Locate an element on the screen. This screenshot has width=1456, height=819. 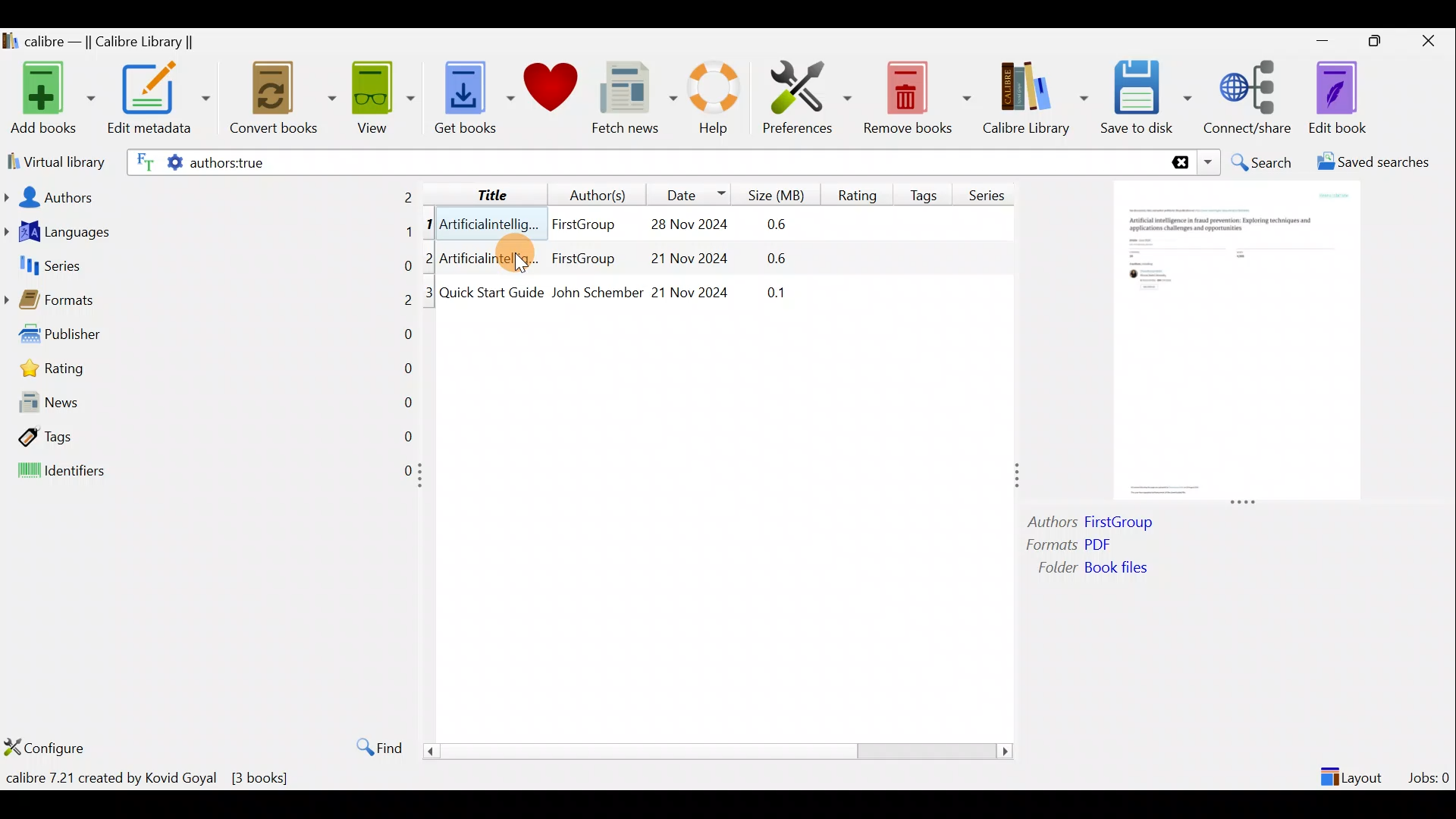
3 is located at coordinates (430, 293).